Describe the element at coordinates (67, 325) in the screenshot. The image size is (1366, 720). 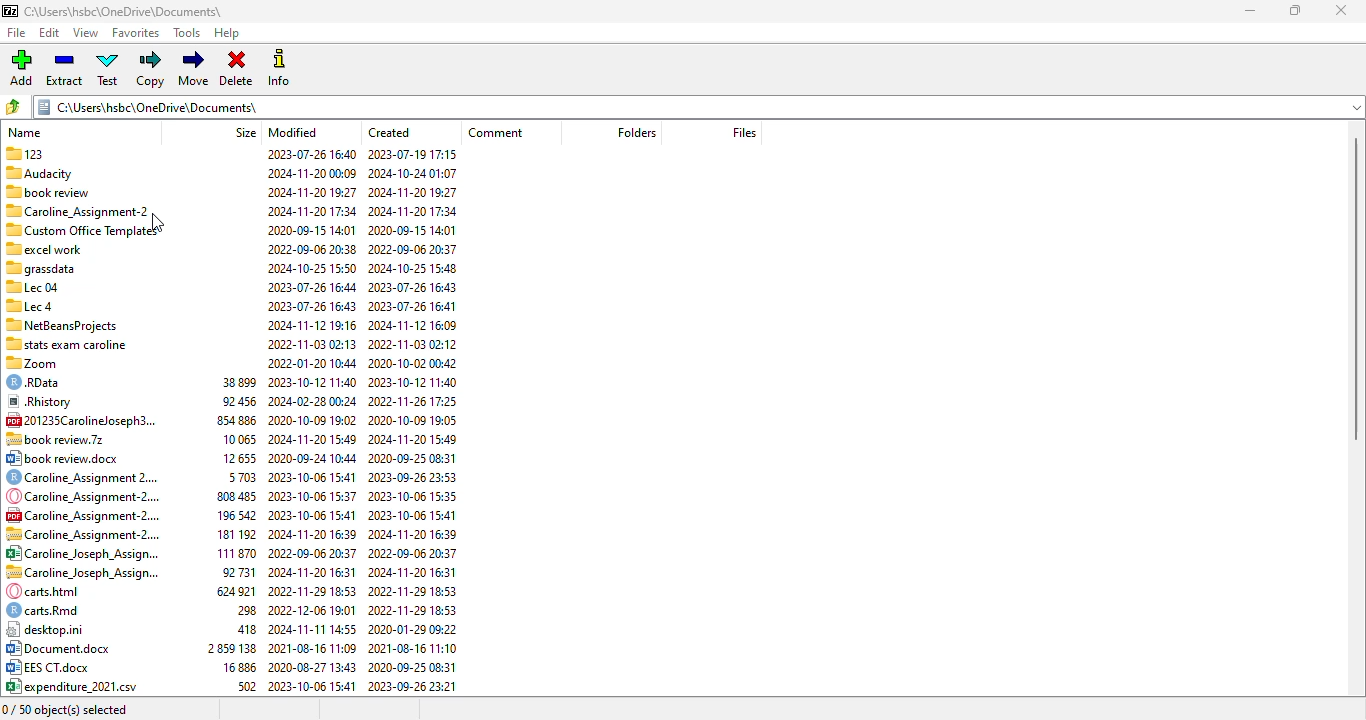
I see `NetBeansProjects` at that location.